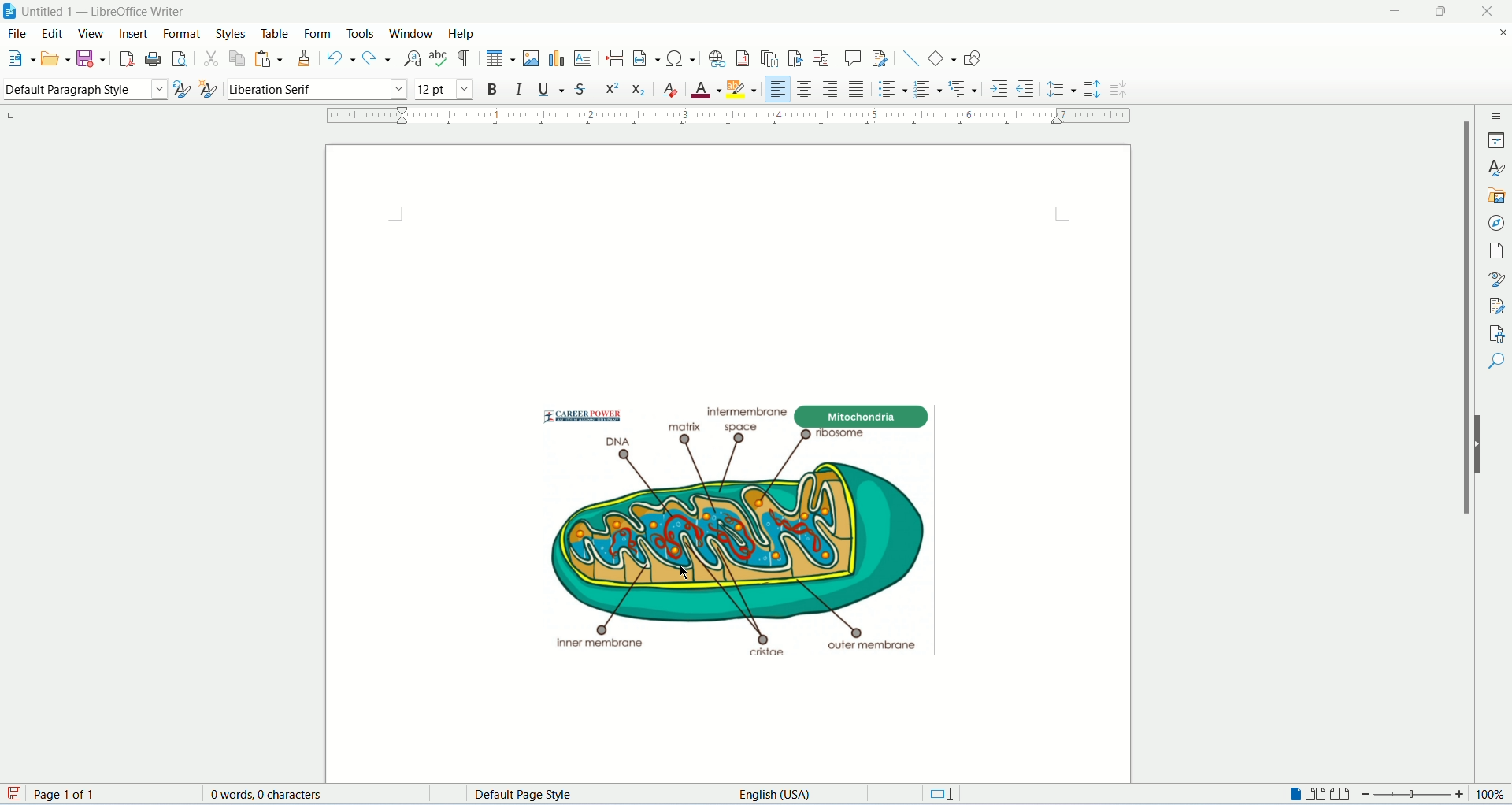 This screenshot has height=805, width=1512. Describe the element at coordinates (212, 60) in the screenshot. I see `cut` at that location.